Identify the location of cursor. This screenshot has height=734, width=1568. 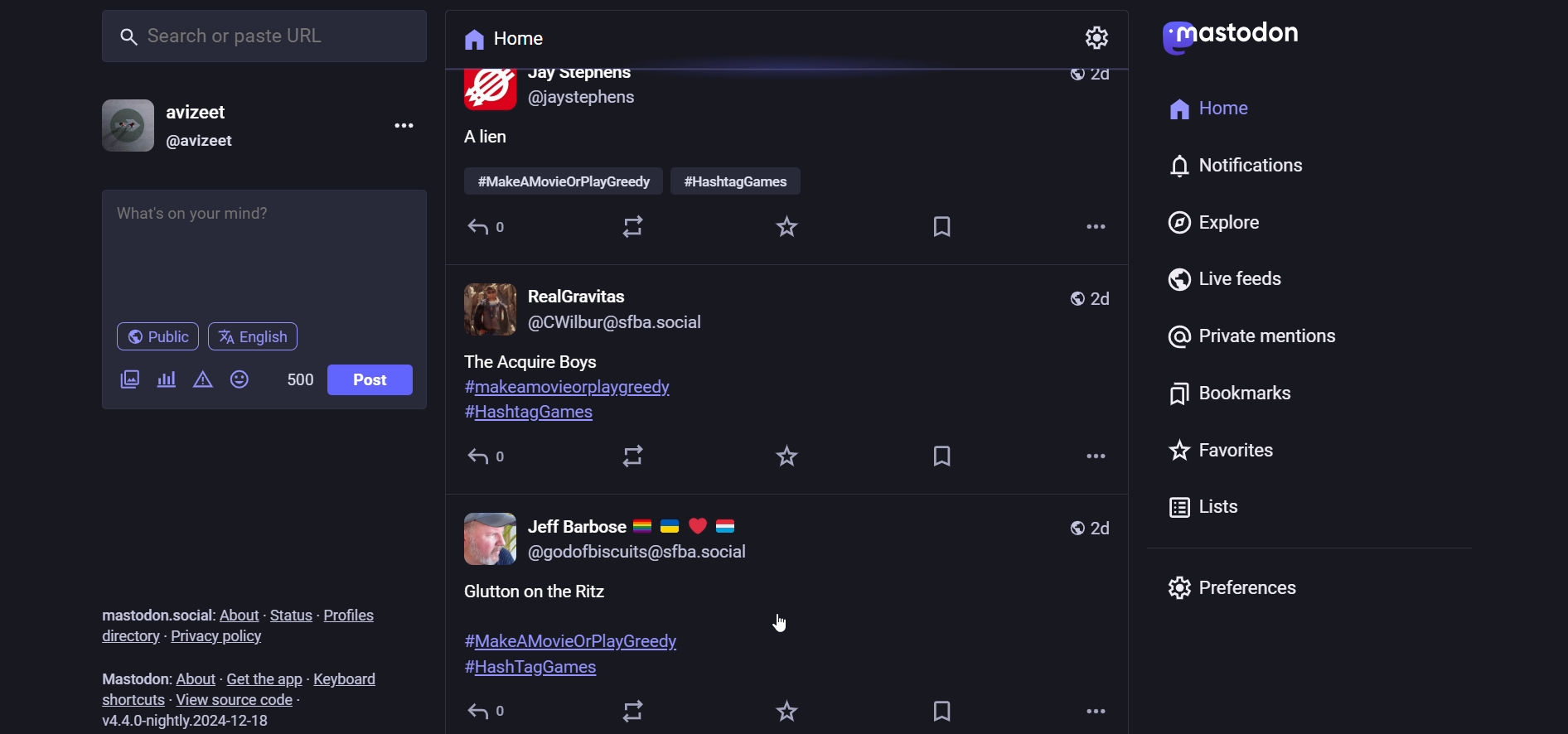
(786, 621).